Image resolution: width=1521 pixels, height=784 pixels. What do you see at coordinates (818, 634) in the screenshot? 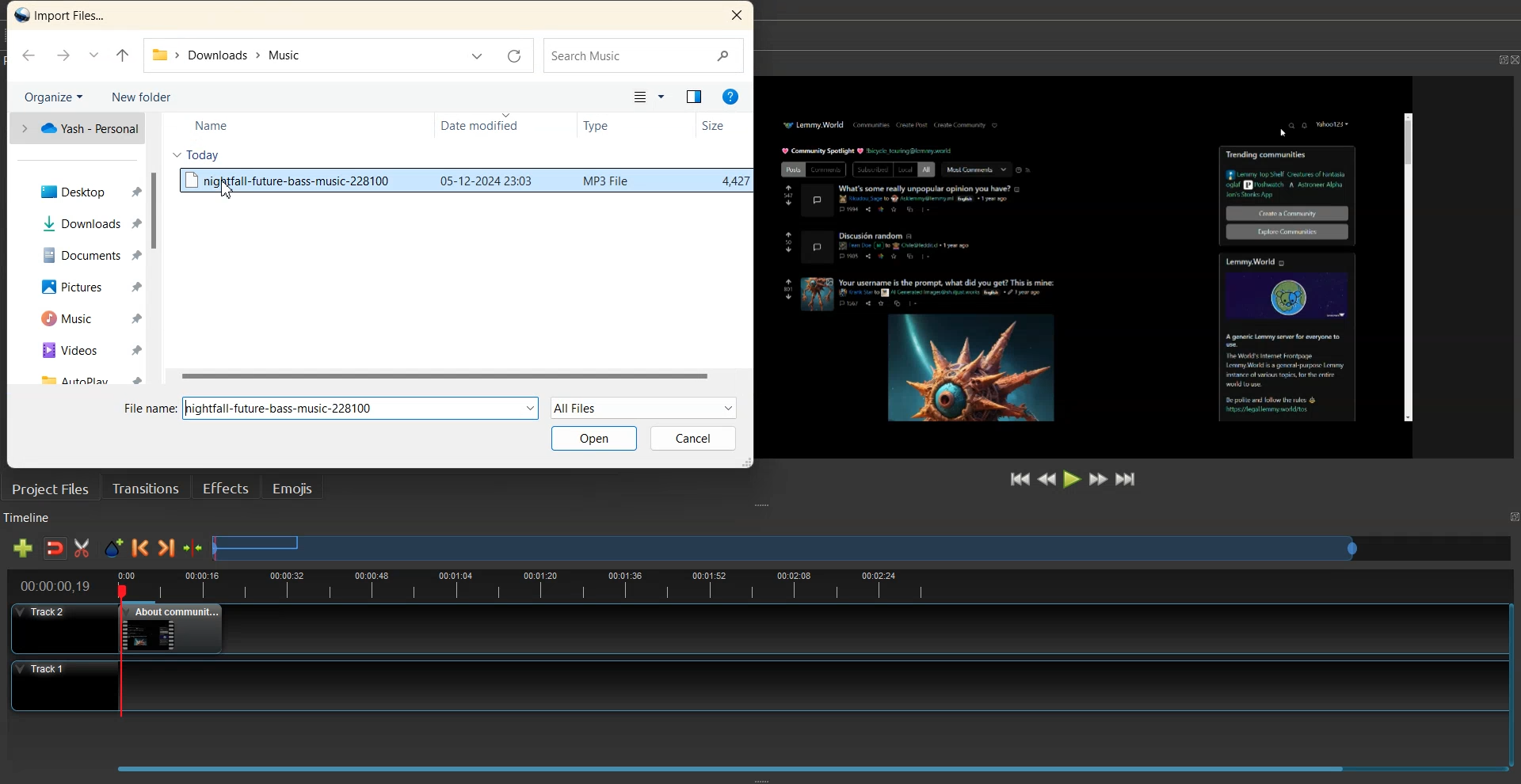
I see `Track 1` at bounding box center [818, 634].